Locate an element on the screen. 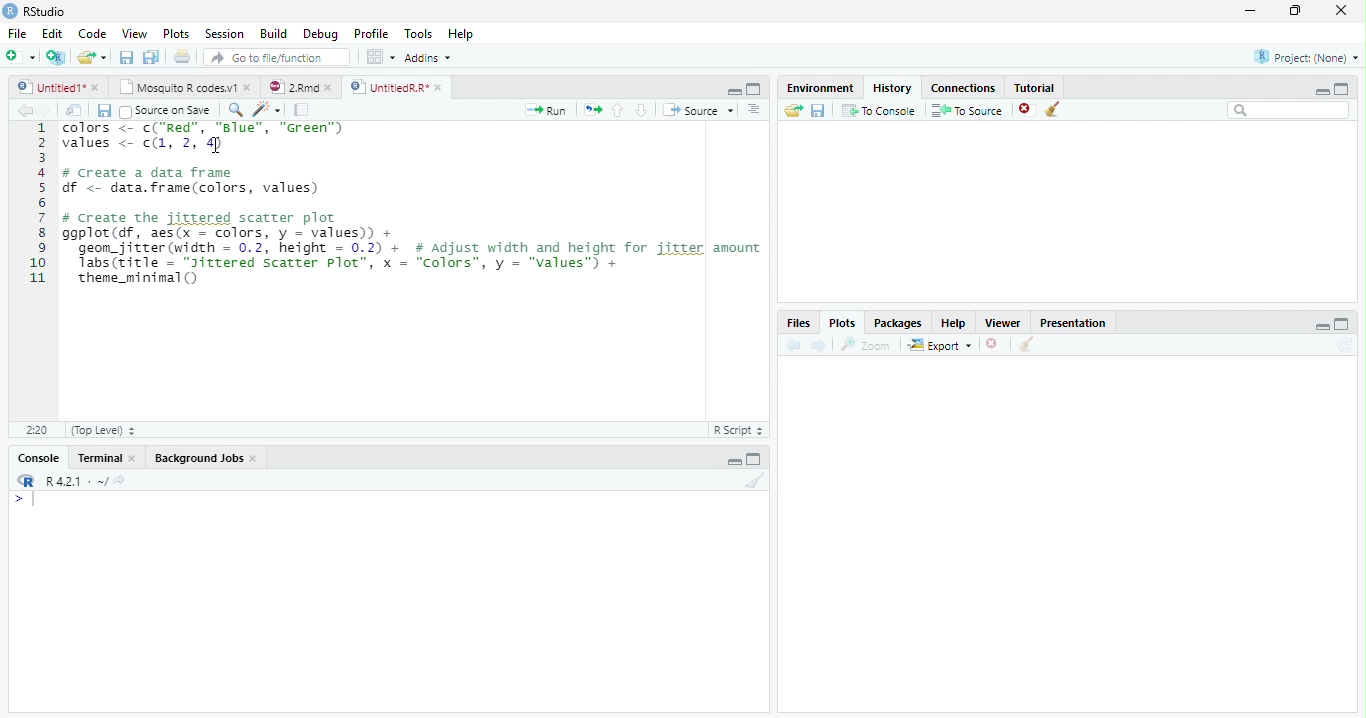  close is located at coordinates (133, 458).